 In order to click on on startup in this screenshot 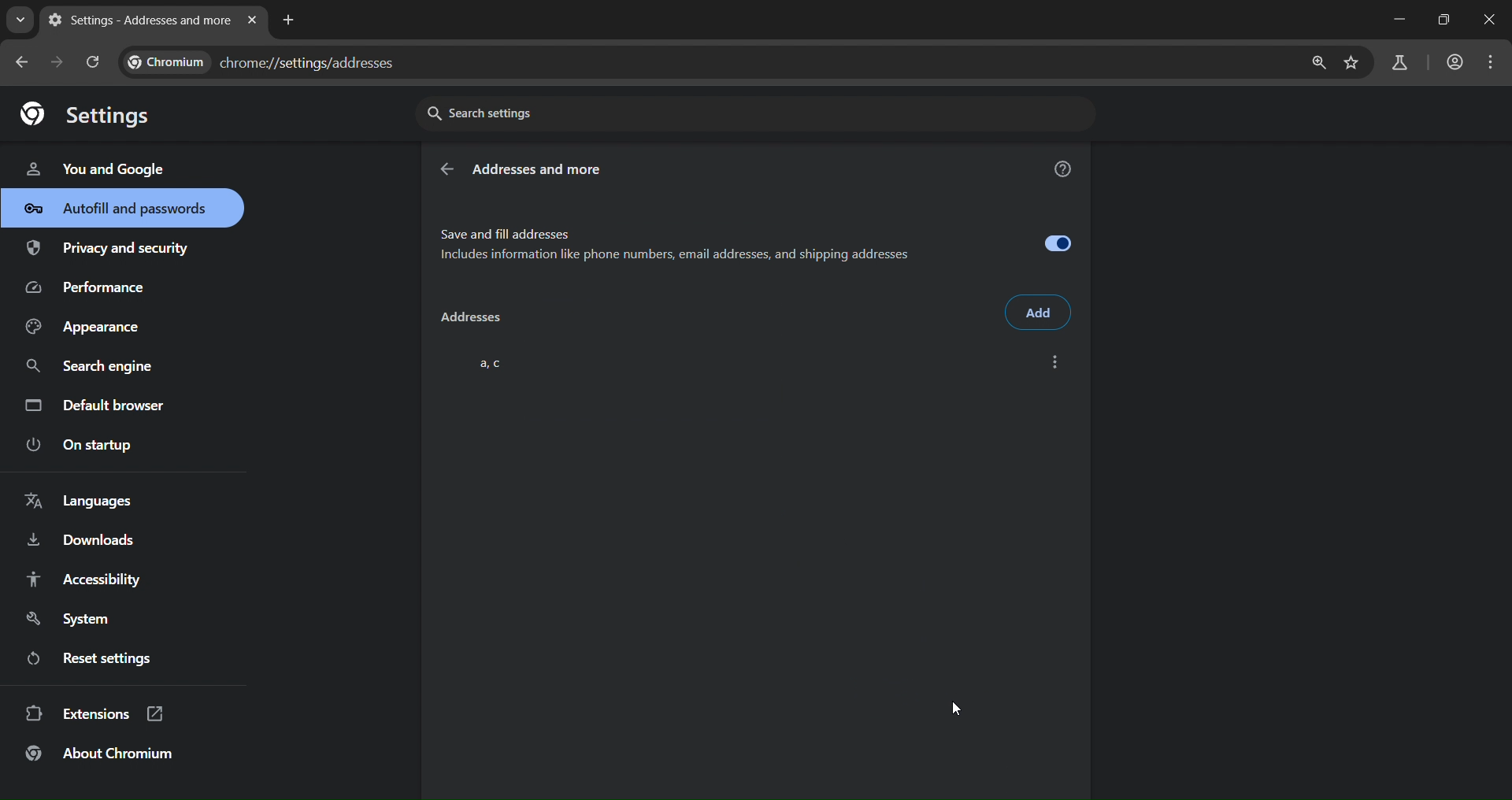, I will do `click(90, 446)`.